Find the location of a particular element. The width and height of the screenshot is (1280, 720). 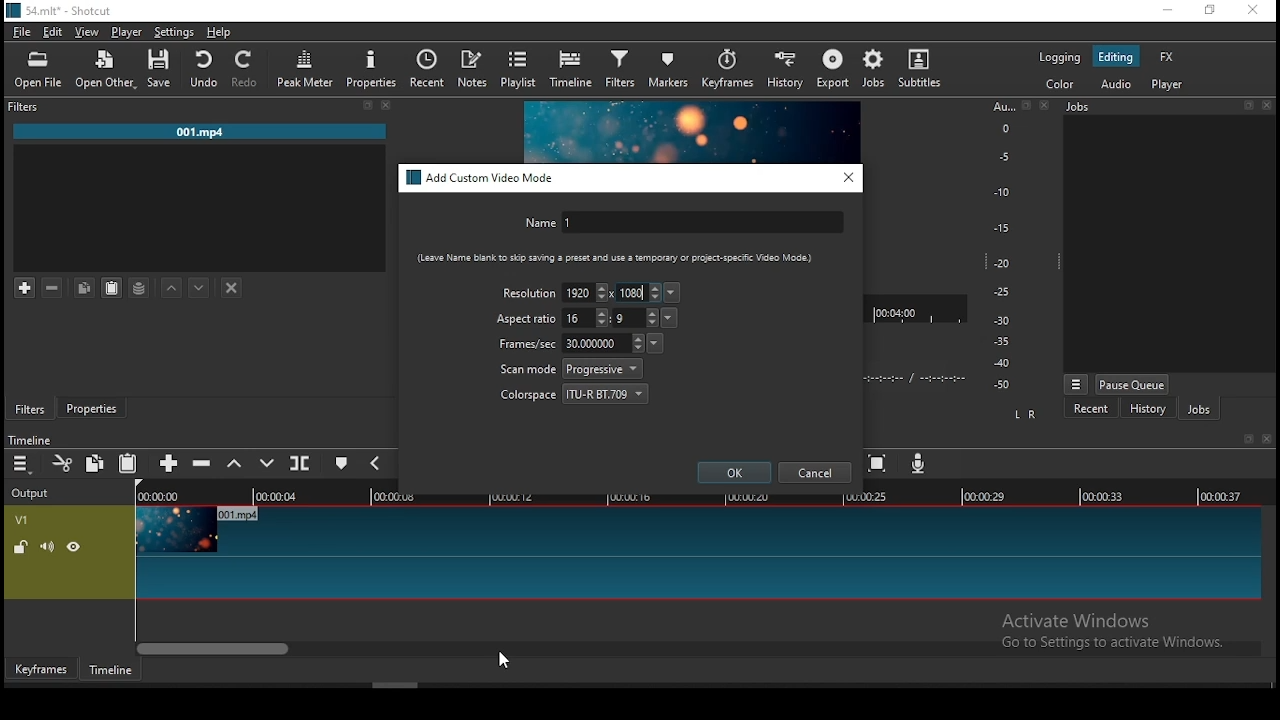

notes is located at coordinates (472, 69).